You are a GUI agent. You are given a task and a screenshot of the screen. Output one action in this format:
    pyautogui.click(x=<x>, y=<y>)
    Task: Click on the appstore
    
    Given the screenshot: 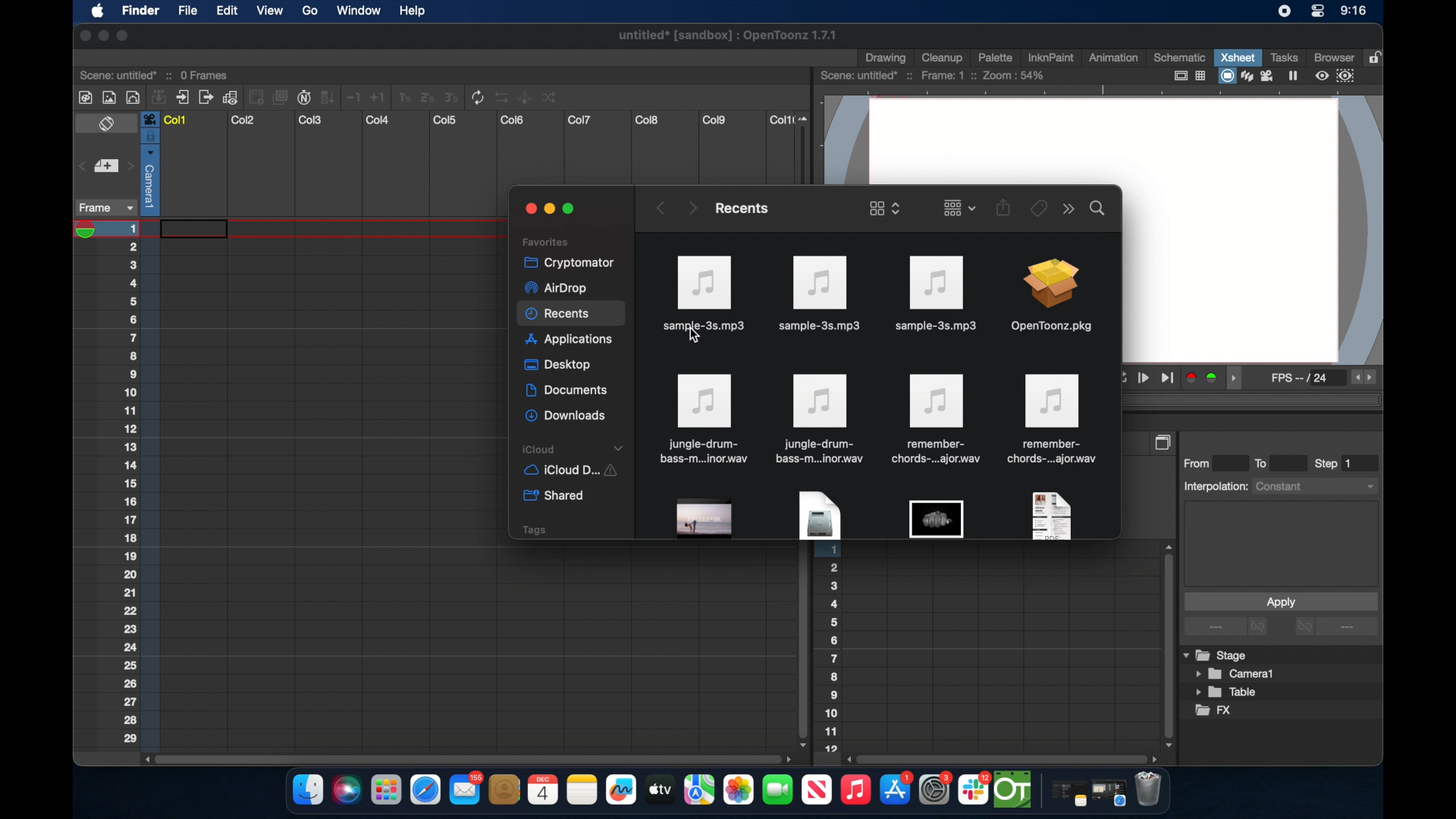 What is the action you would take?
    pyautogui.click(x=896, y=790)
    